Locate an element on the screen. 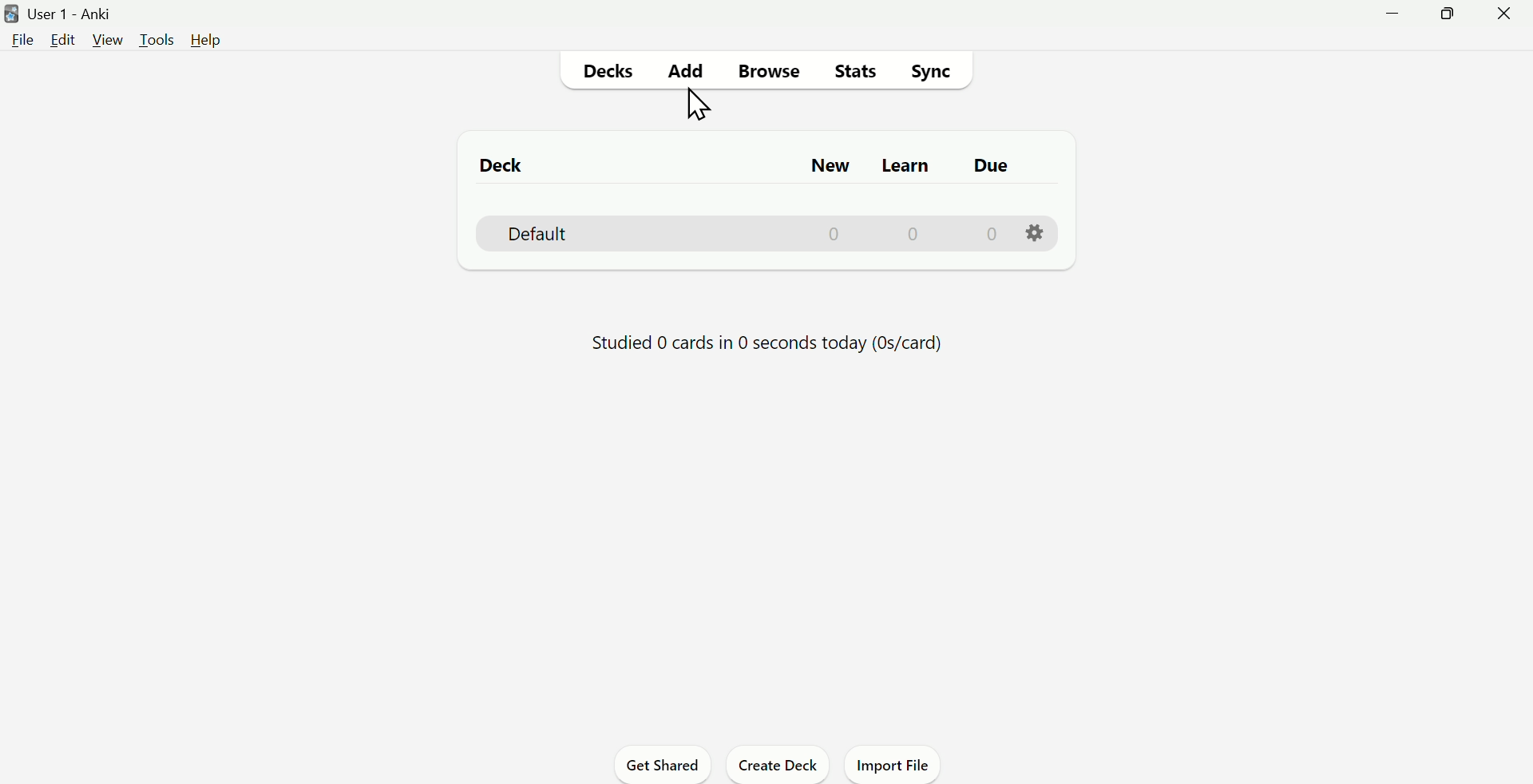  Deck is located at coordinates (526, 236).